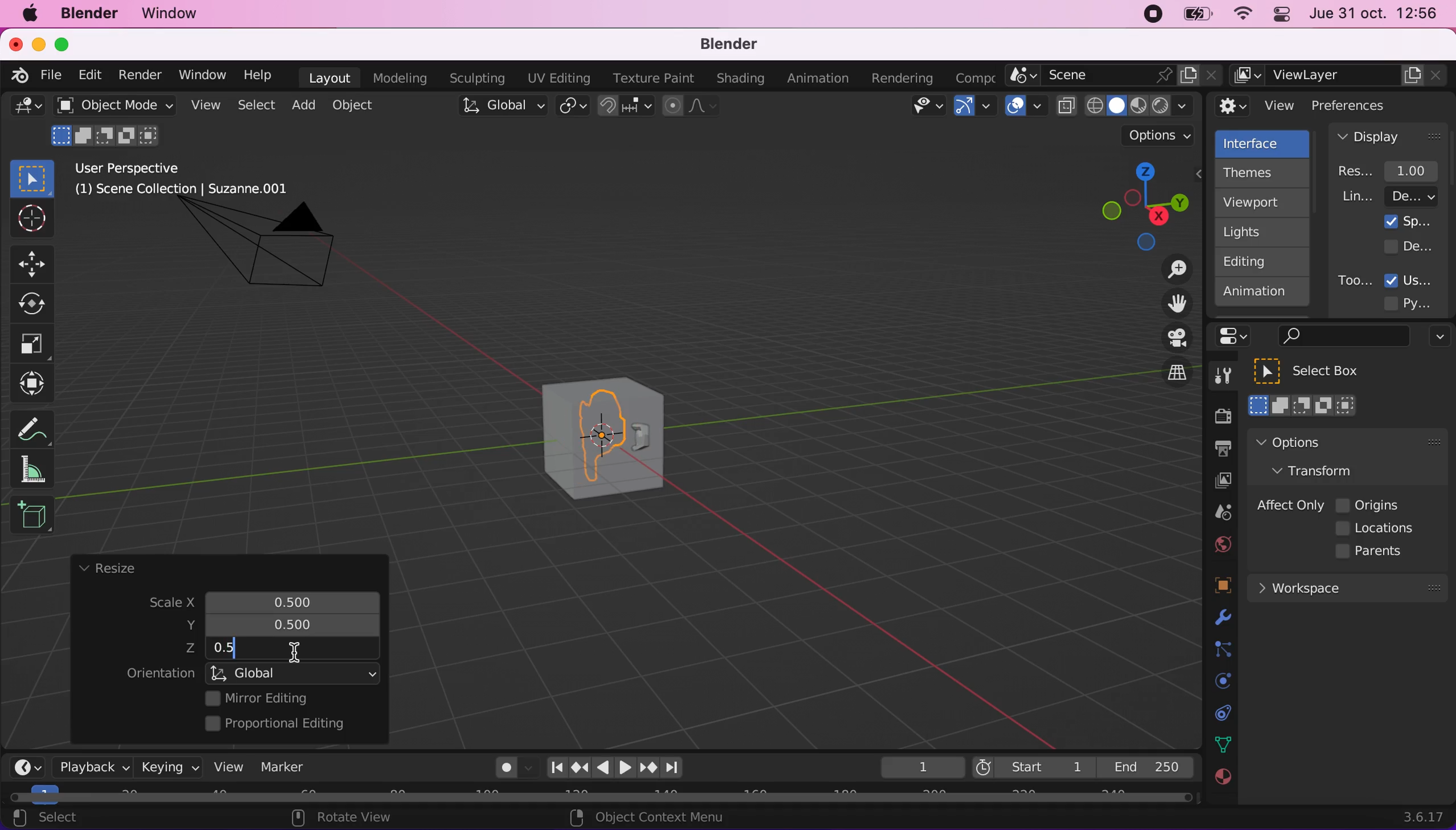 Image resolution: width=1456 pixels, height=830 pixels. What do you see at coordinates (507, 771) in the screenshot?
I see `autokeying` at bounding box center [507, 771].